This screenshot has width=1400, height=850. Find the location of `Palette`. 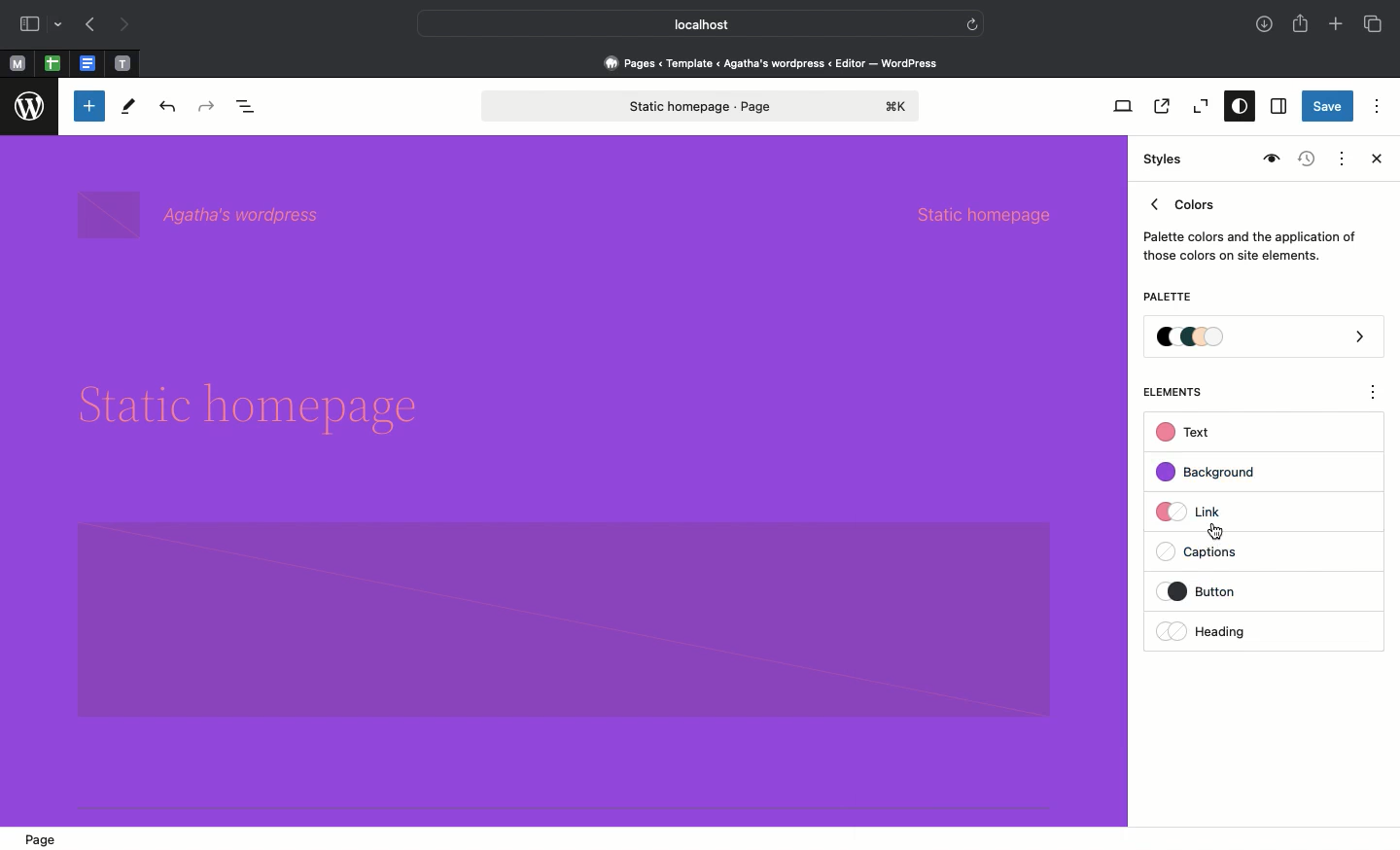

Palette is located at coordinates (1167, 299).